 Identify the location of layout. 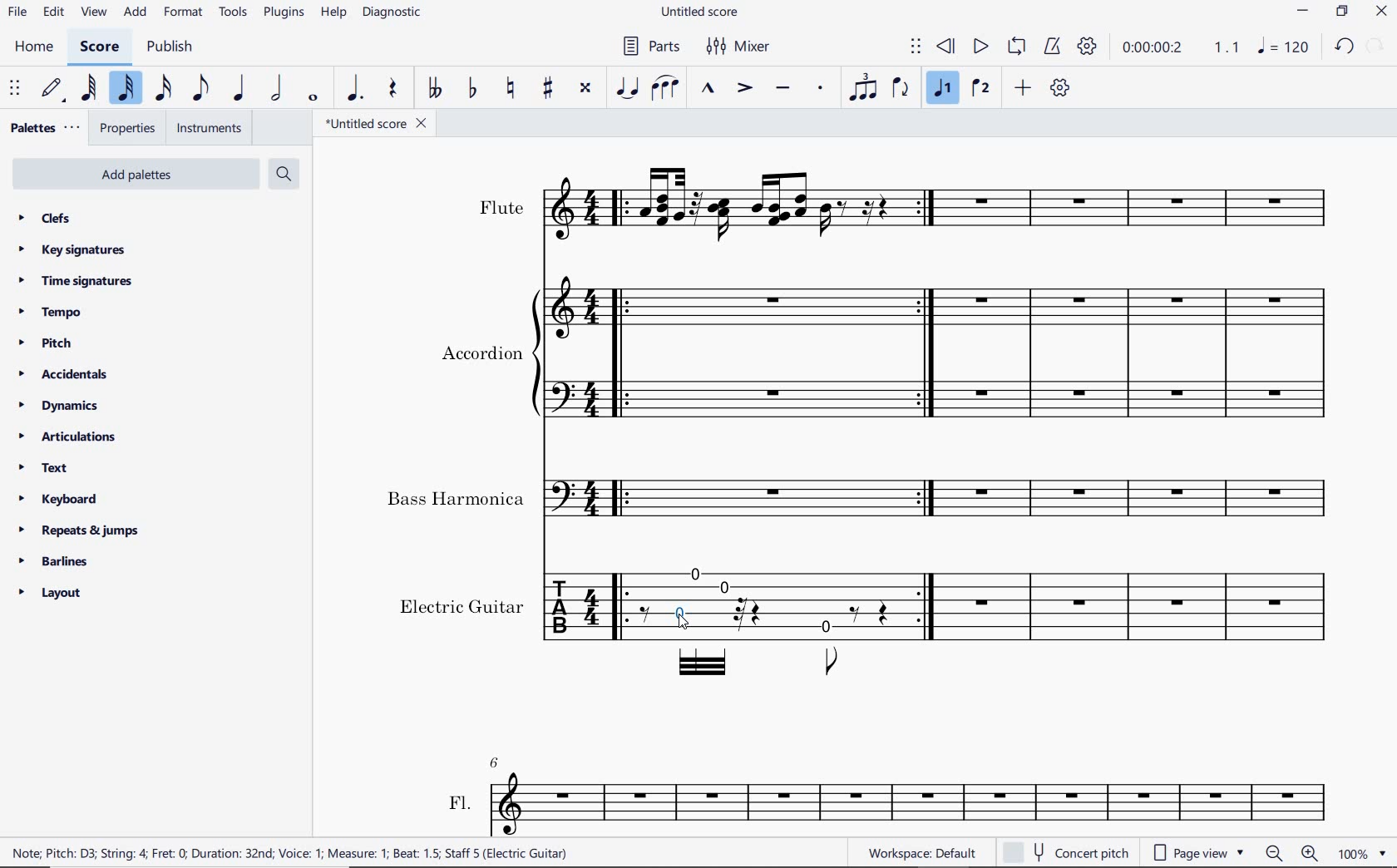
(52, 590).